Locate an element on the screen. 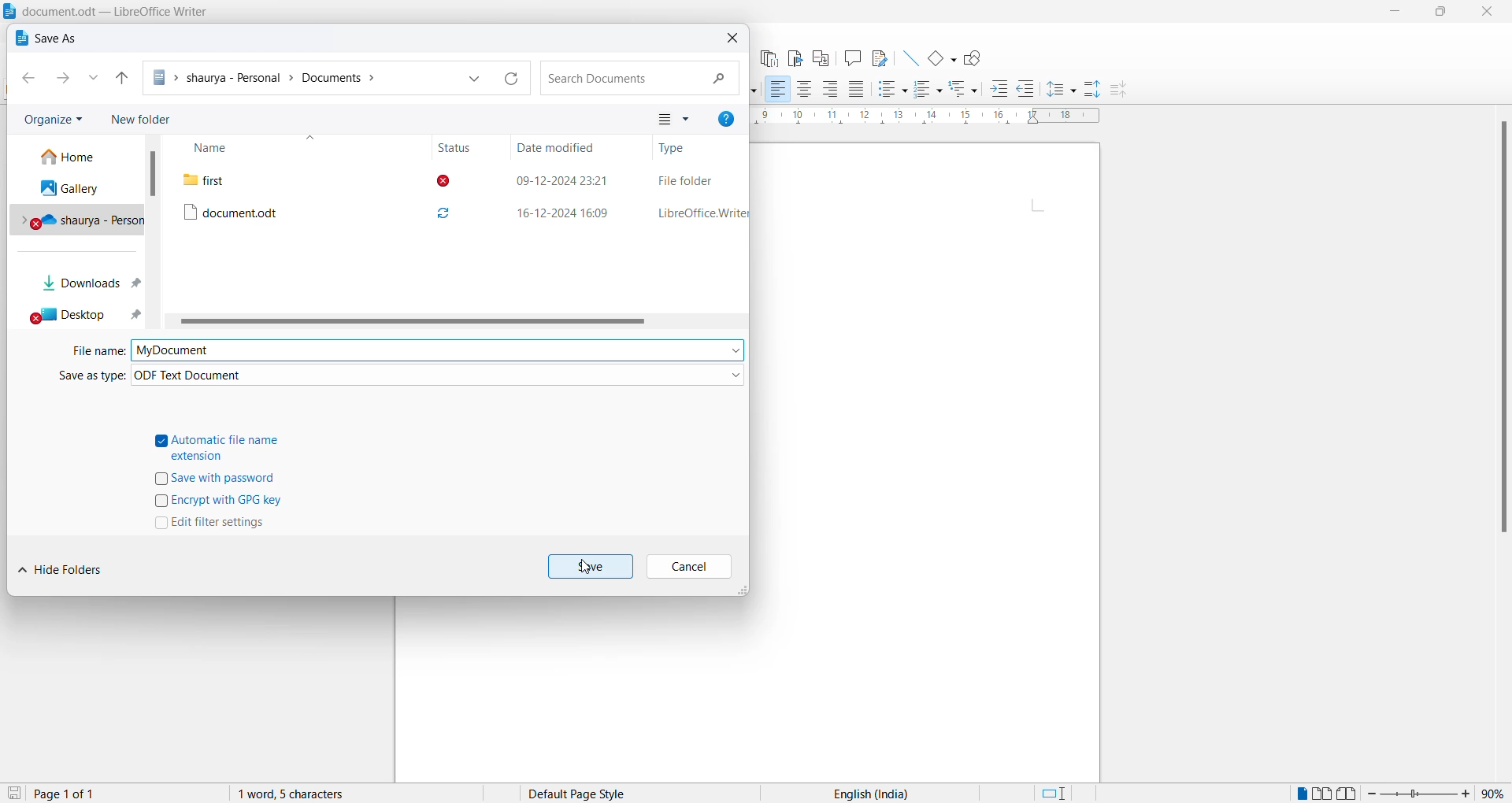 Image resolution: width=1512 pixels, height=803 pixels. standard selection is located at coordinates (1059, 794).